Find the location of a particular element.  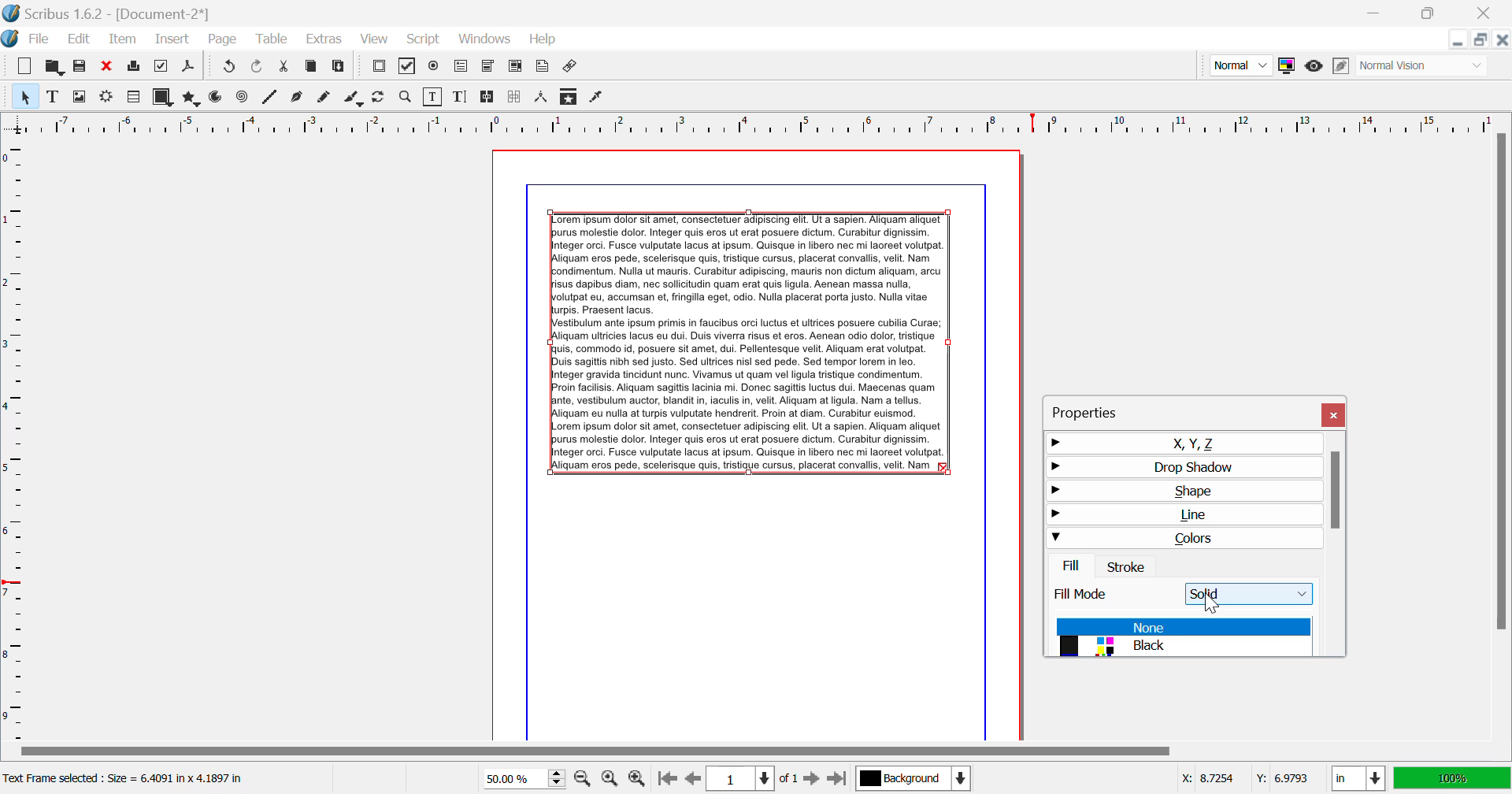

Scroll Bar is located at coordinates (1502, 435).